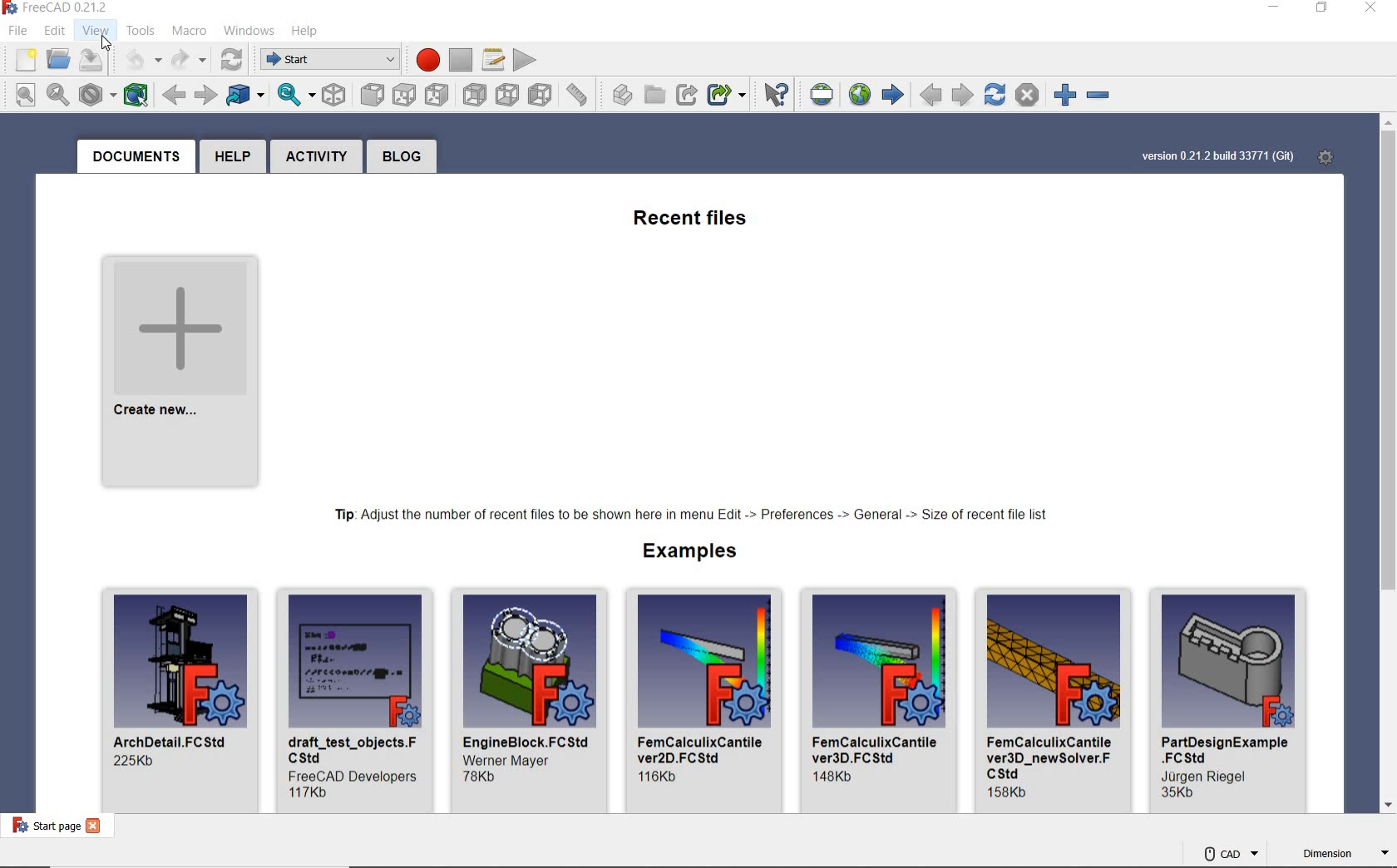  Describe the element at coordinates (249, 31) in the screenshot. I see `windows` at that location.